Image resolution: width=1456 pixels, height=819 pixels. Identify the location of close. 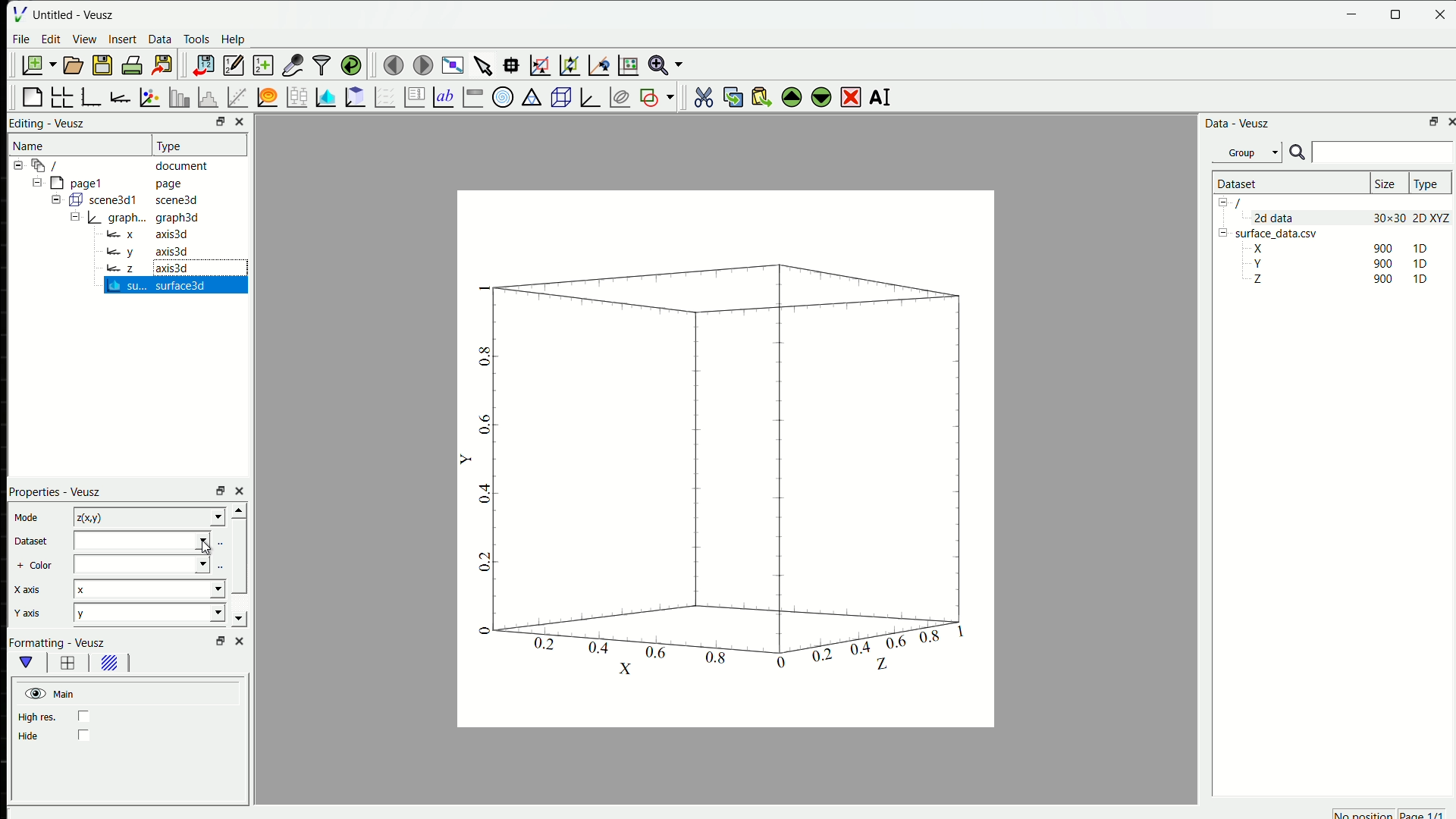
(1451, 120).